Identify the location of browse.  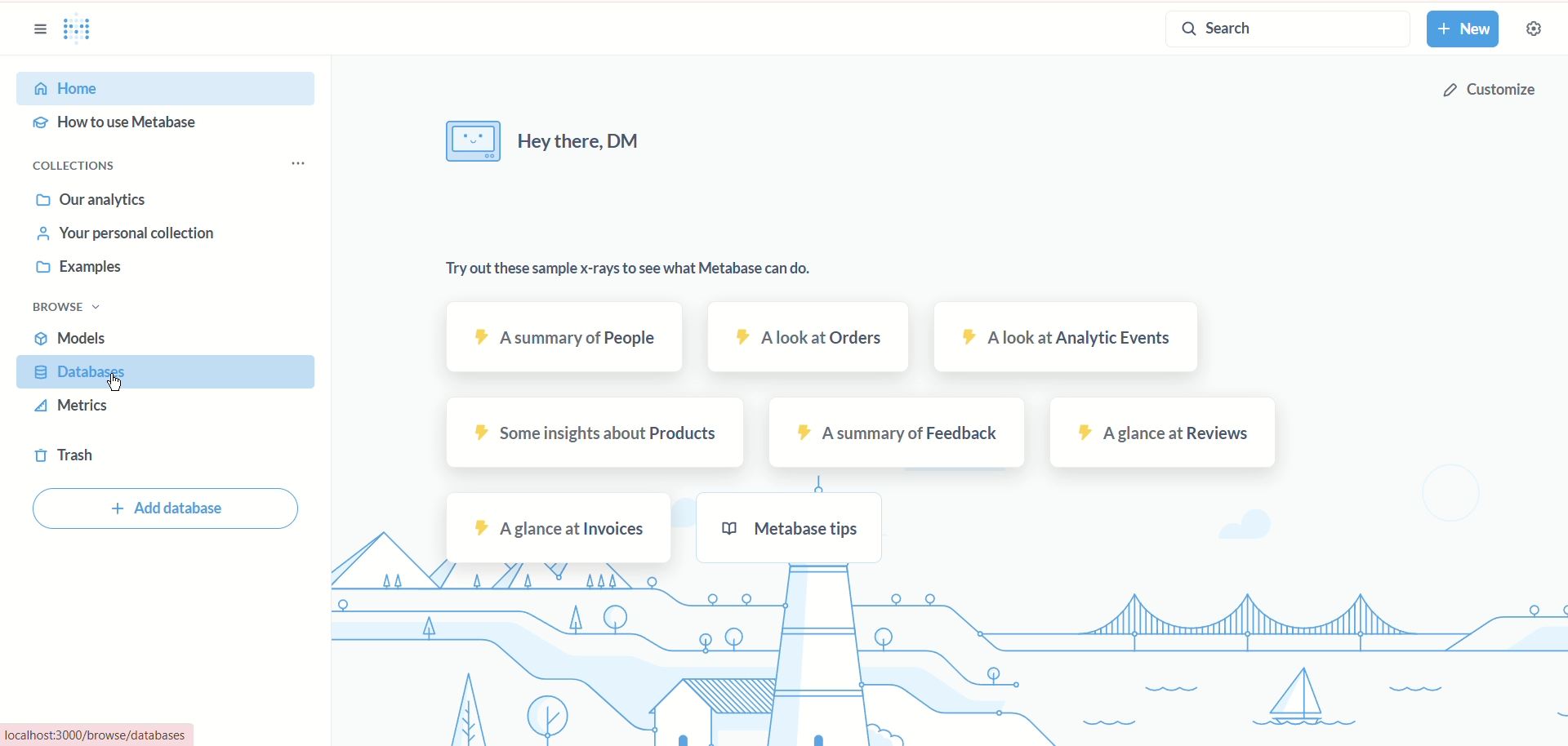
(65, 308).